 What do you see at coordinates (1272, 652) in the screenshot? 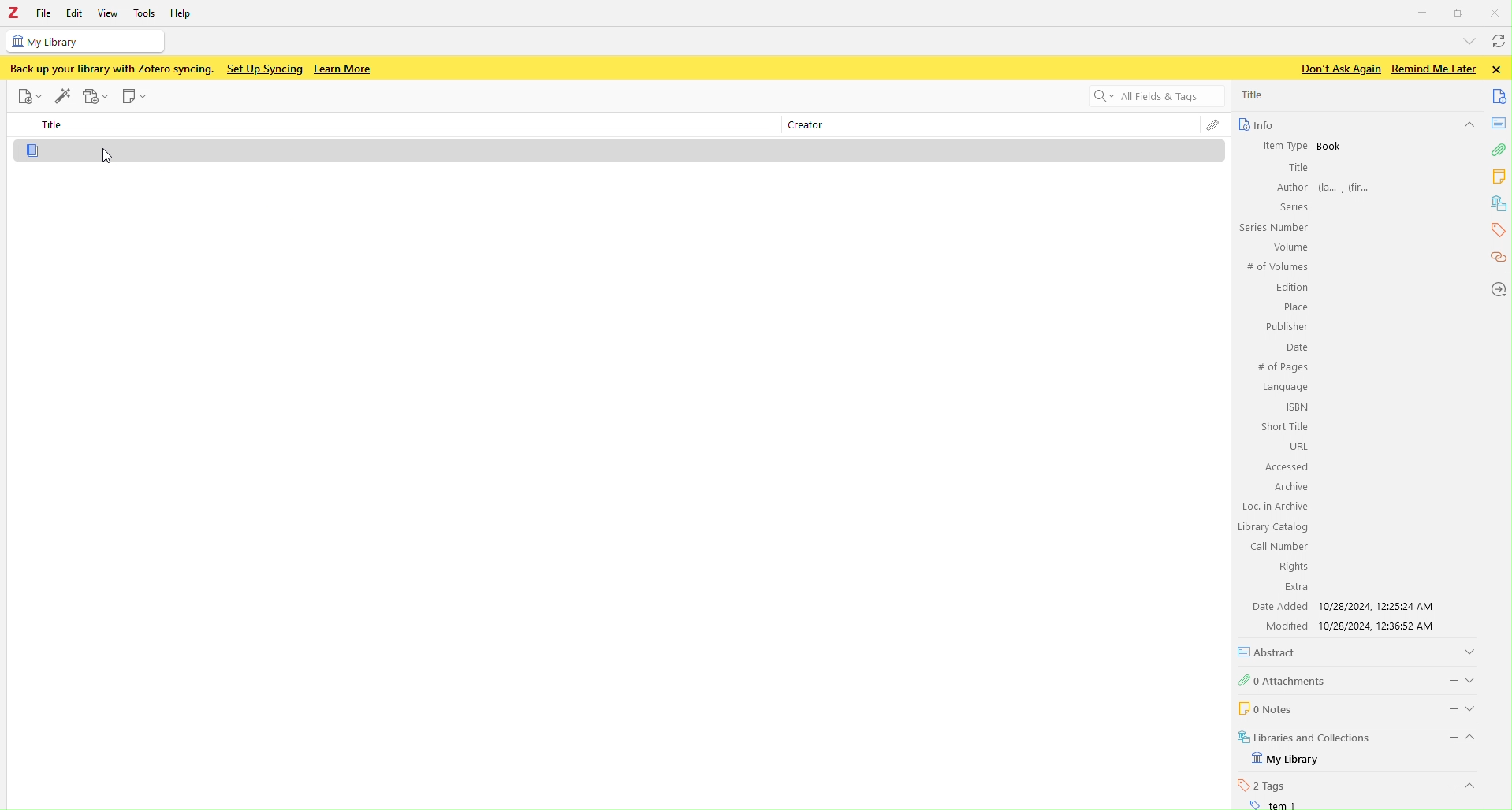
I see `Abstract` at bounding box center [1272, 652].